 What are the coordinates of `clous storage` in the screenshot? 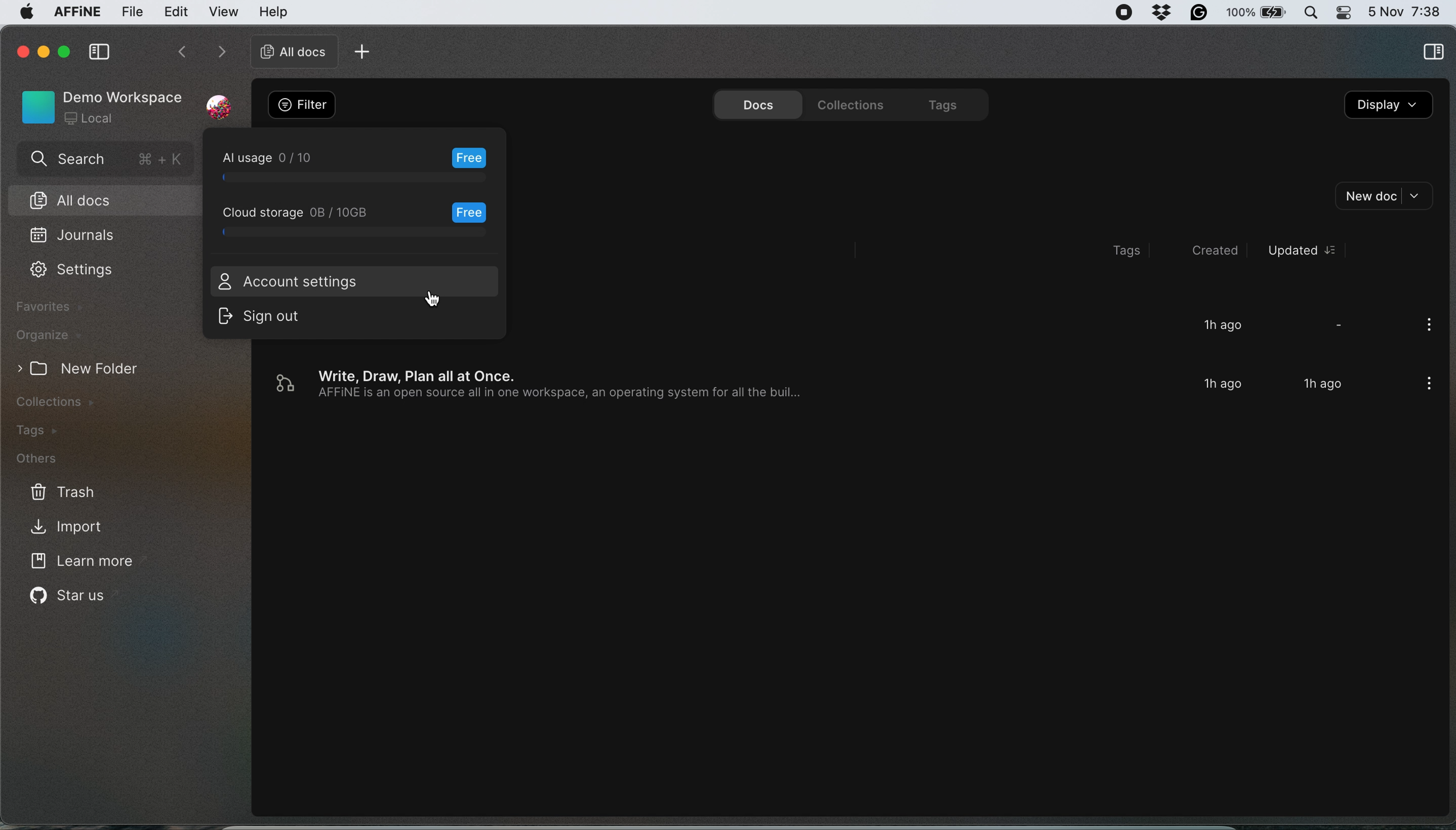 It's located at (358, 221).